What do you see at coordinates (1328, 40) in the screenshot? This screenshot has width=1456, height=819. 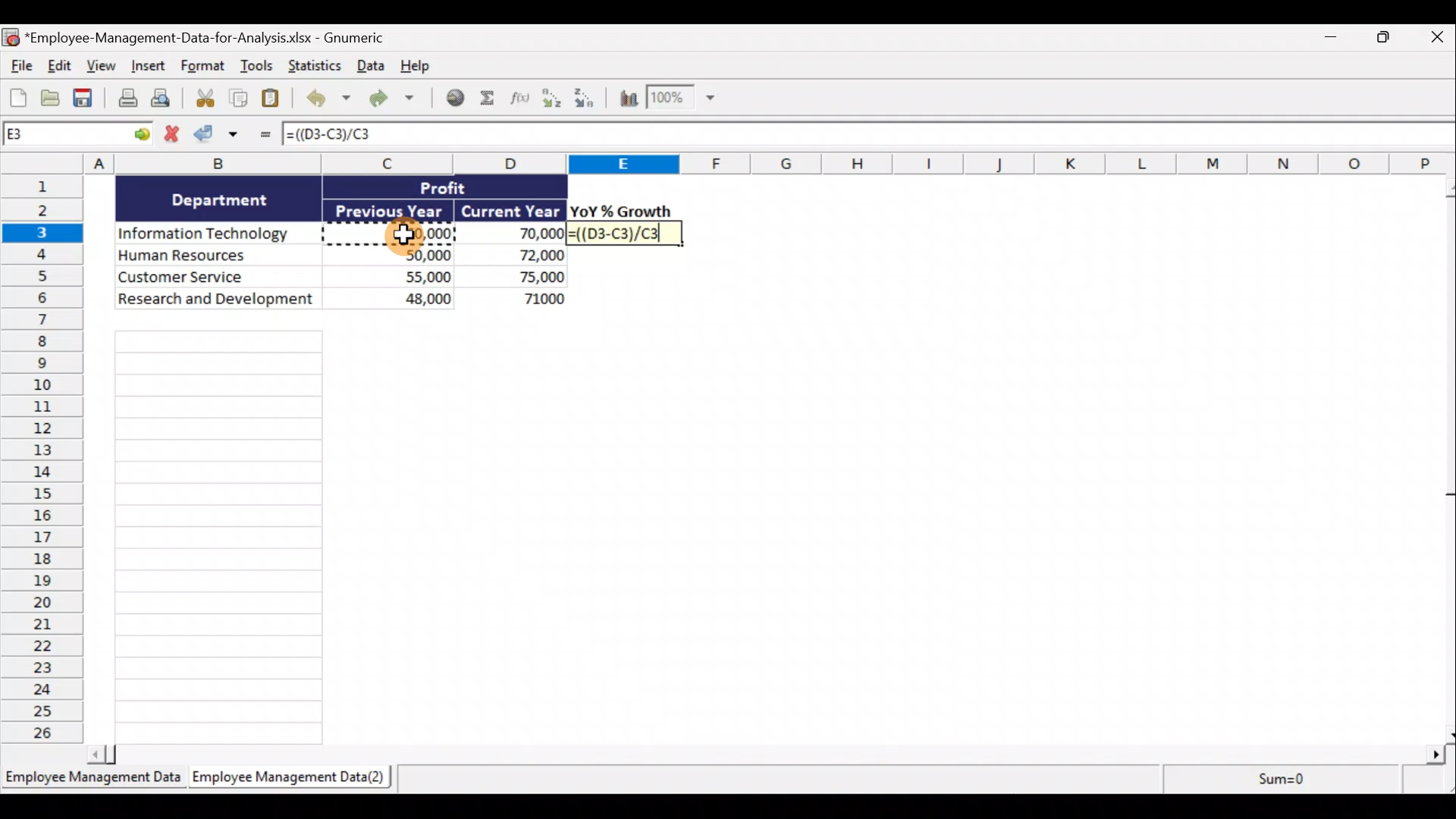 I see `Minimise` at bounding box center [1328, 40].